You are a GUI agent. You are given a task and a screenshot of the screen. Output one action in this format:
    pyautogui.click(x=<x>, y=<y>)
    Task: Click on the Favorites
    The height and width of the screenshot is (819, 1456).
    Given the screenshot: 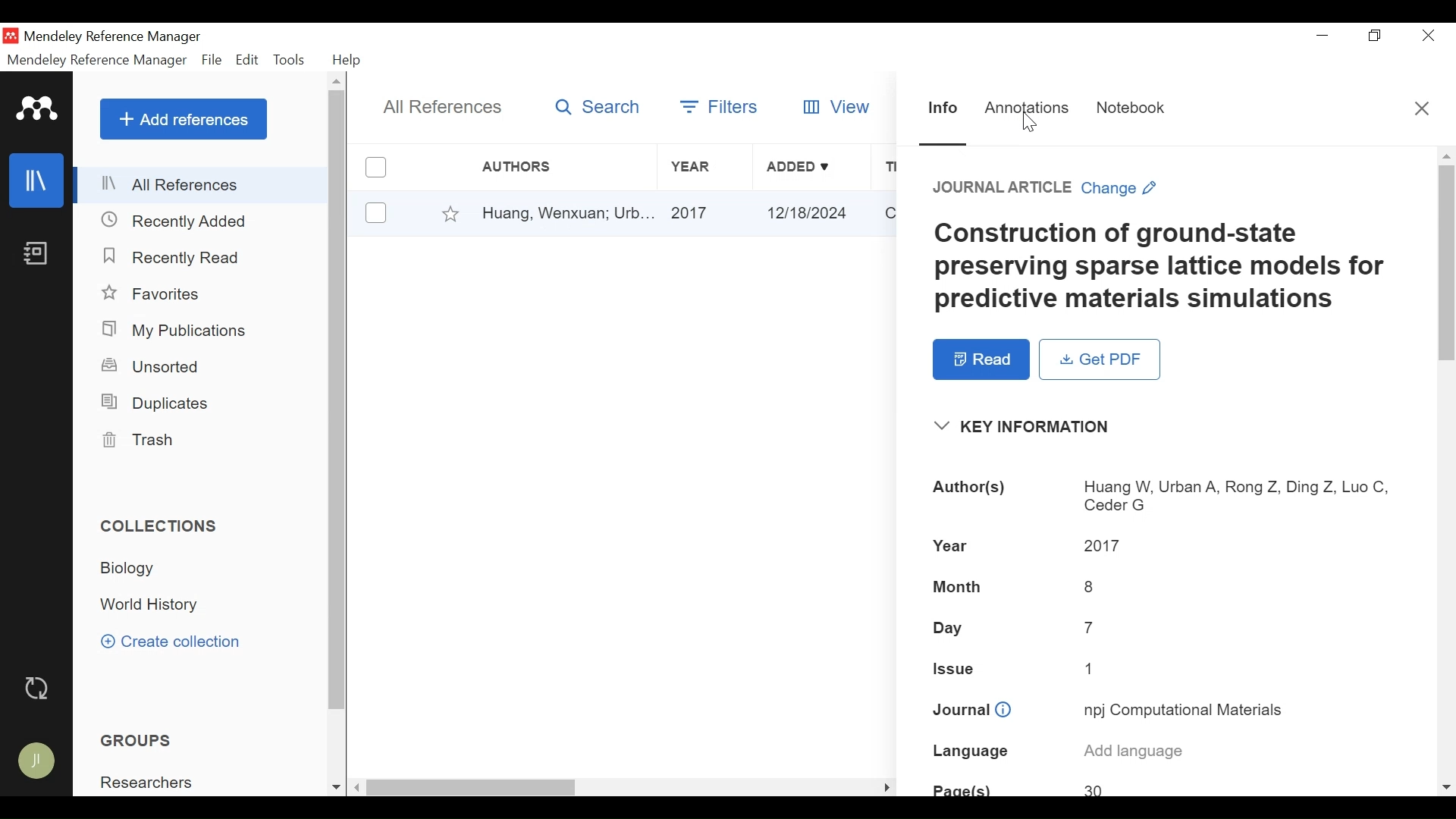 What is the action you would take?
    pyautogui.click(x=154, y=294)
    